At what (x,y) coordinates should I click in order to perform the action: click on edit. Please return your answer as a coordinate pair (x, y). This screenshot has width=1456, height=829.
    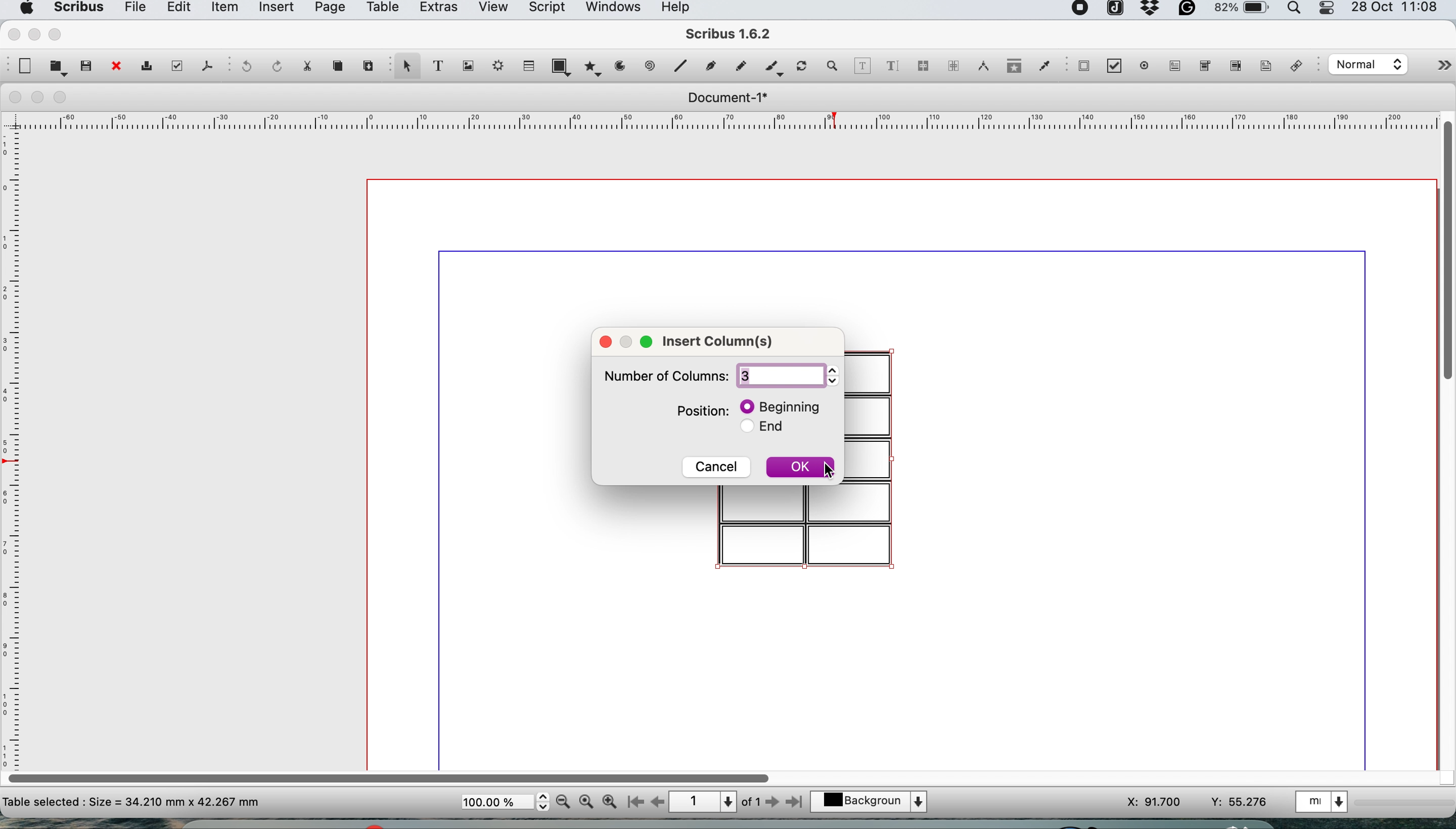
    Looking at the image, I should click on (177, 9).